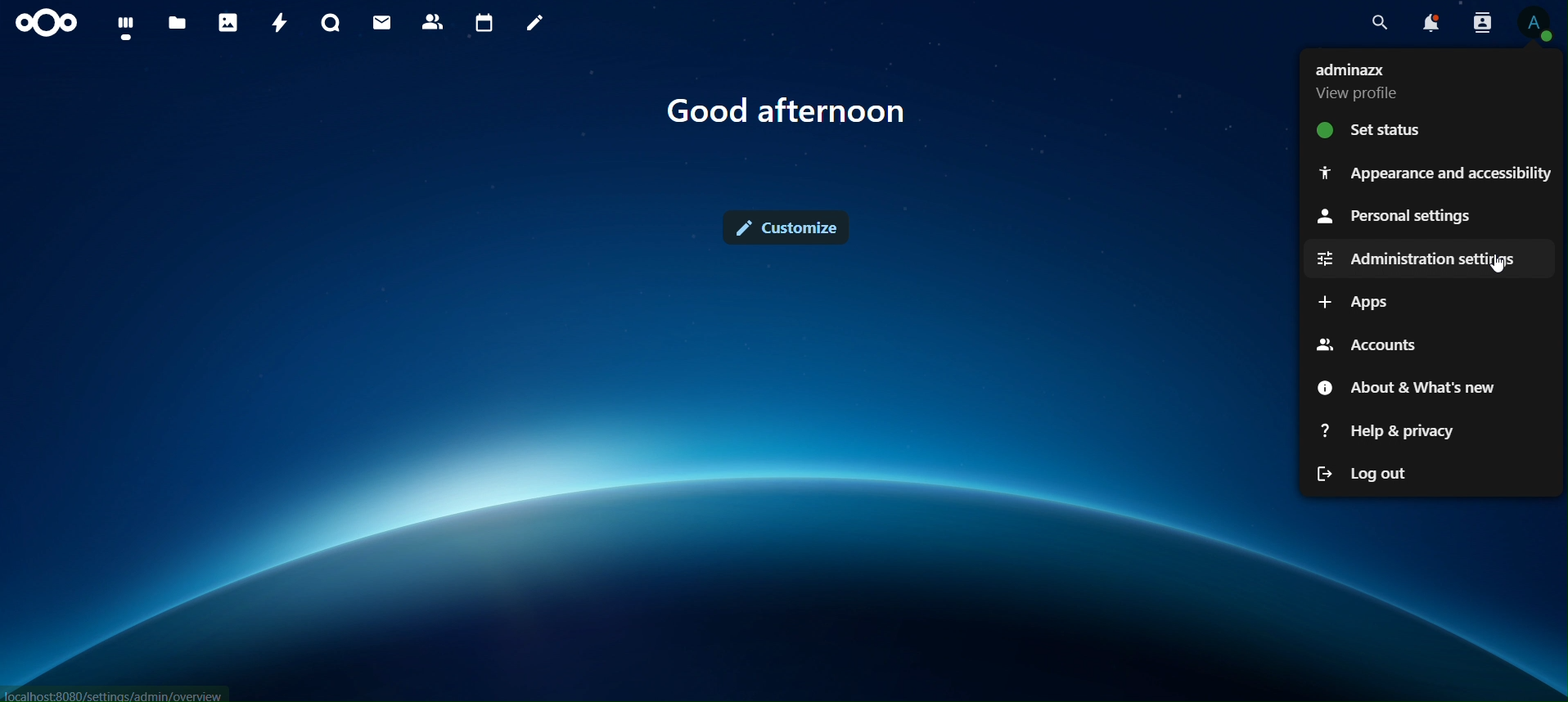 The width and height of the screenshot is (1568, 702). What do you see at coordinates (1377, 22) in the screenshot?
I see `search` at bounding box center [1377, 22].